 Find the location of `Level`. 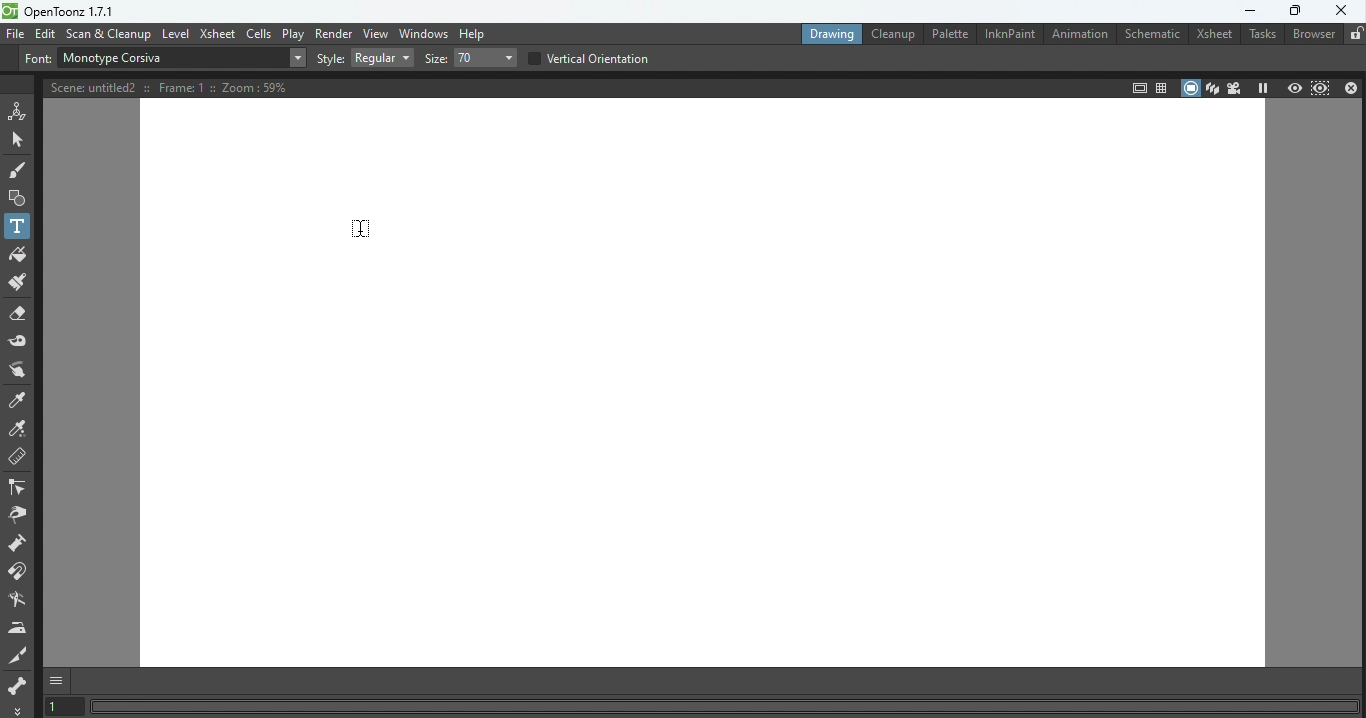

Level is located at coordinates (178, 34).